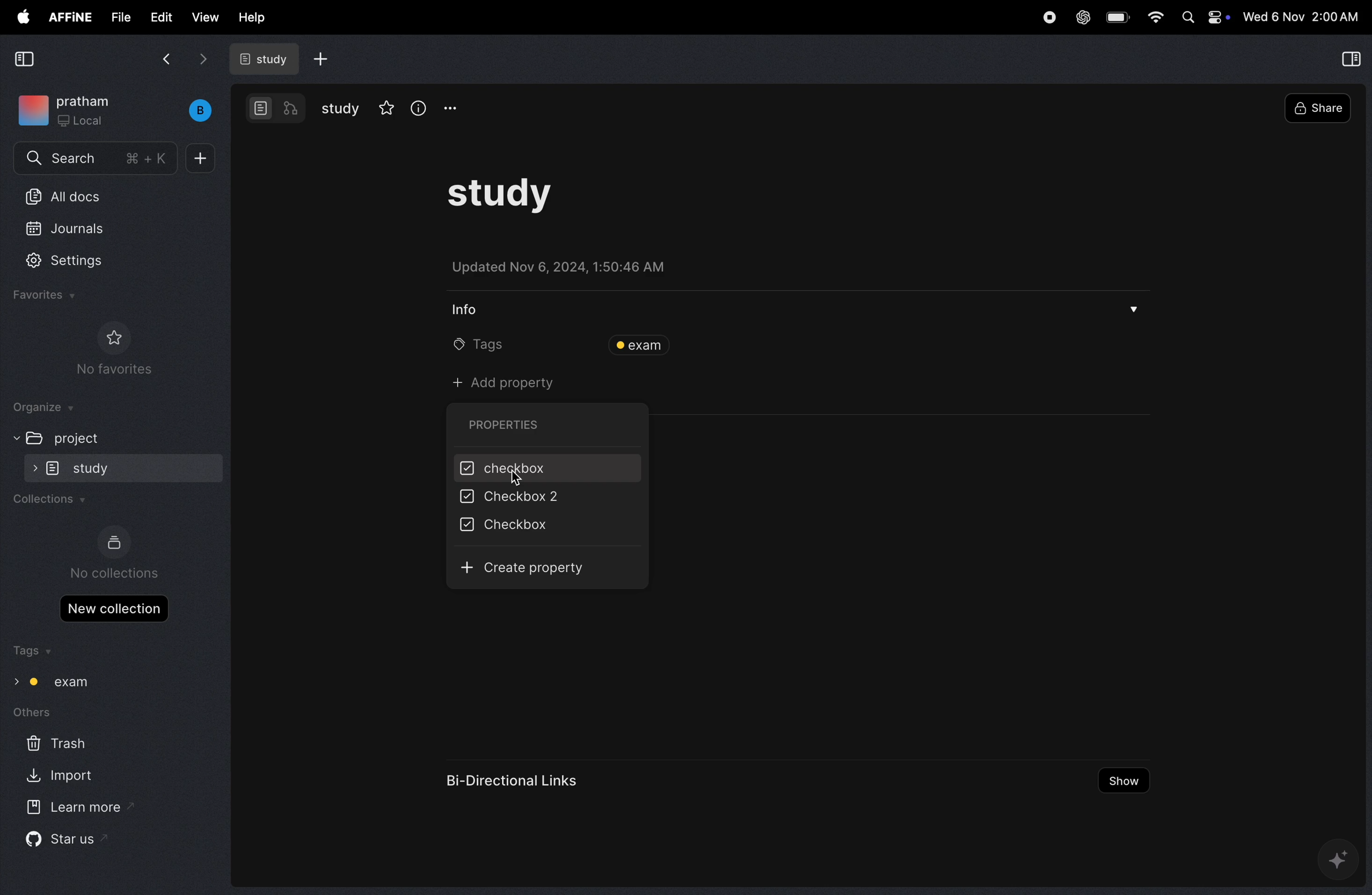 The image size is (1372, 895). Describe the element at coordinates (117, 555) in the screenshot. I see `no collections` at that location.